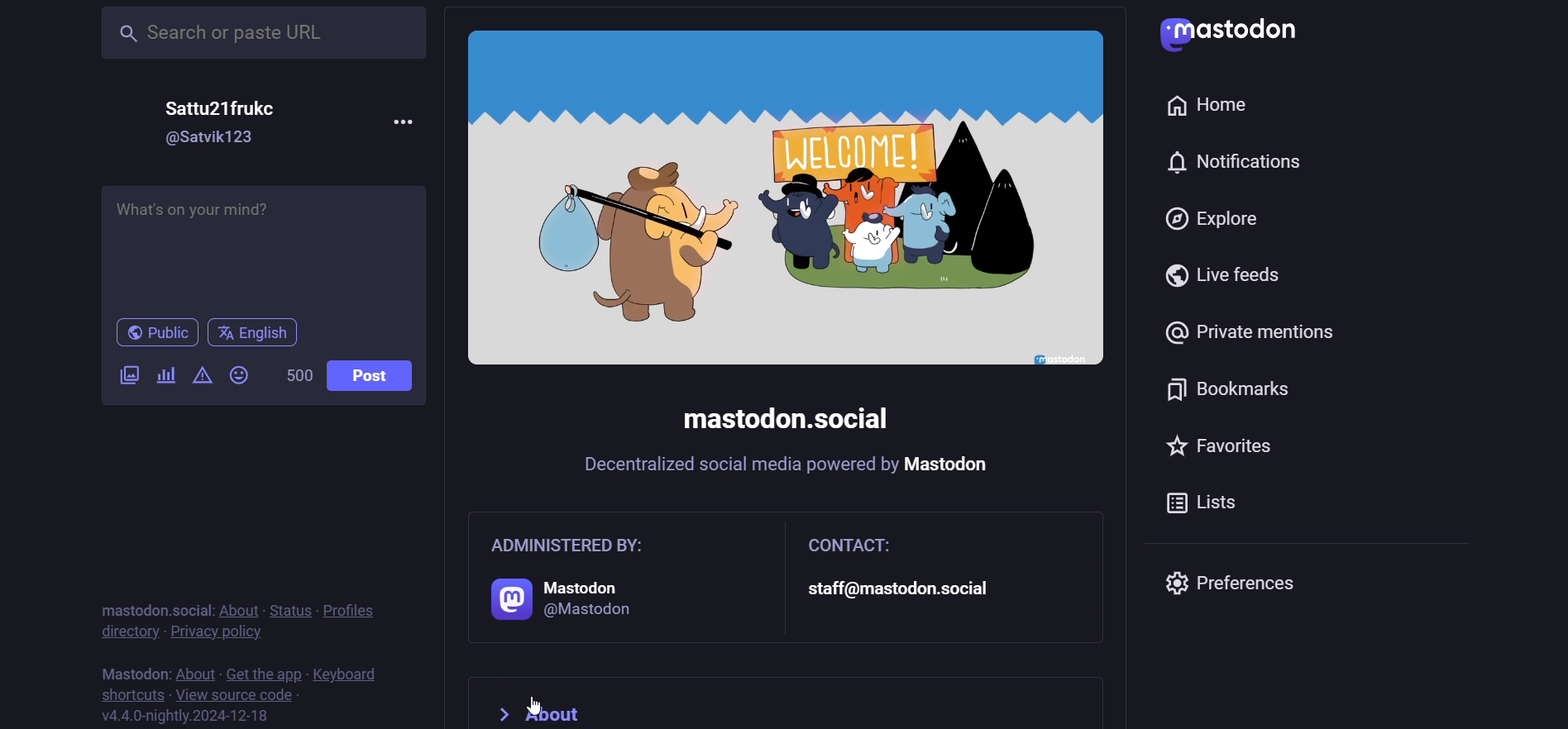 This screenshot has height=729, width=1568. Describe the element at coordinates (234, 694) in the screenshot. I see `view source code` at that location.